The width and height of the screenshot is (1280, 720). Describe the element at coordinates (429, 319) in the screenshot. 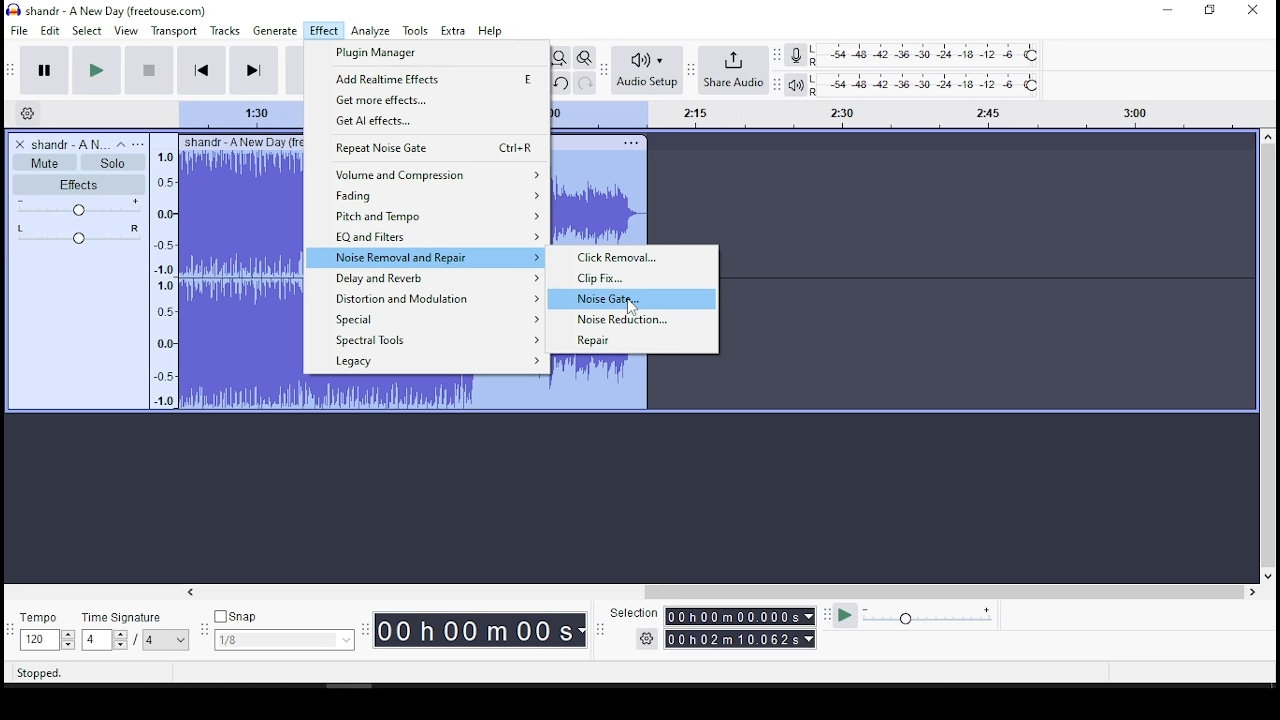

I see `special` at that location.